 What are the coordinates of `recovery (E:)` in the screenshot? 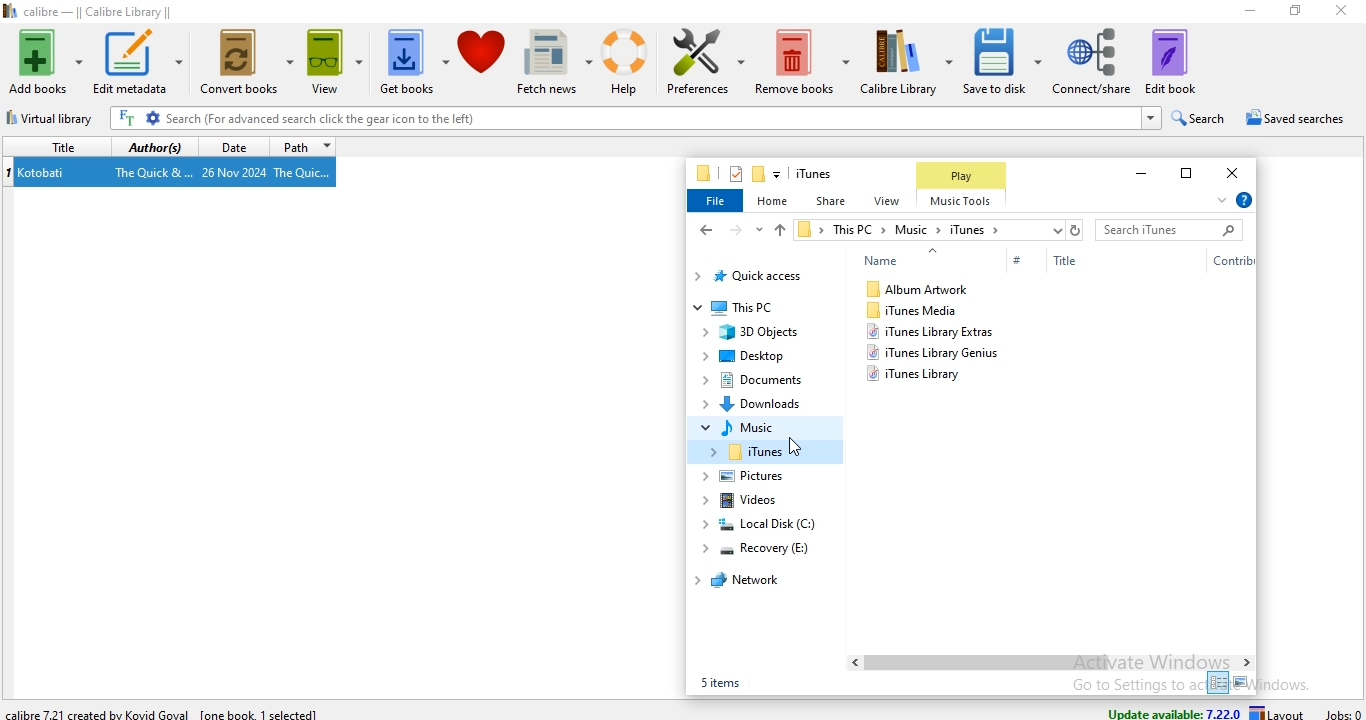 It's located at (754, 551).